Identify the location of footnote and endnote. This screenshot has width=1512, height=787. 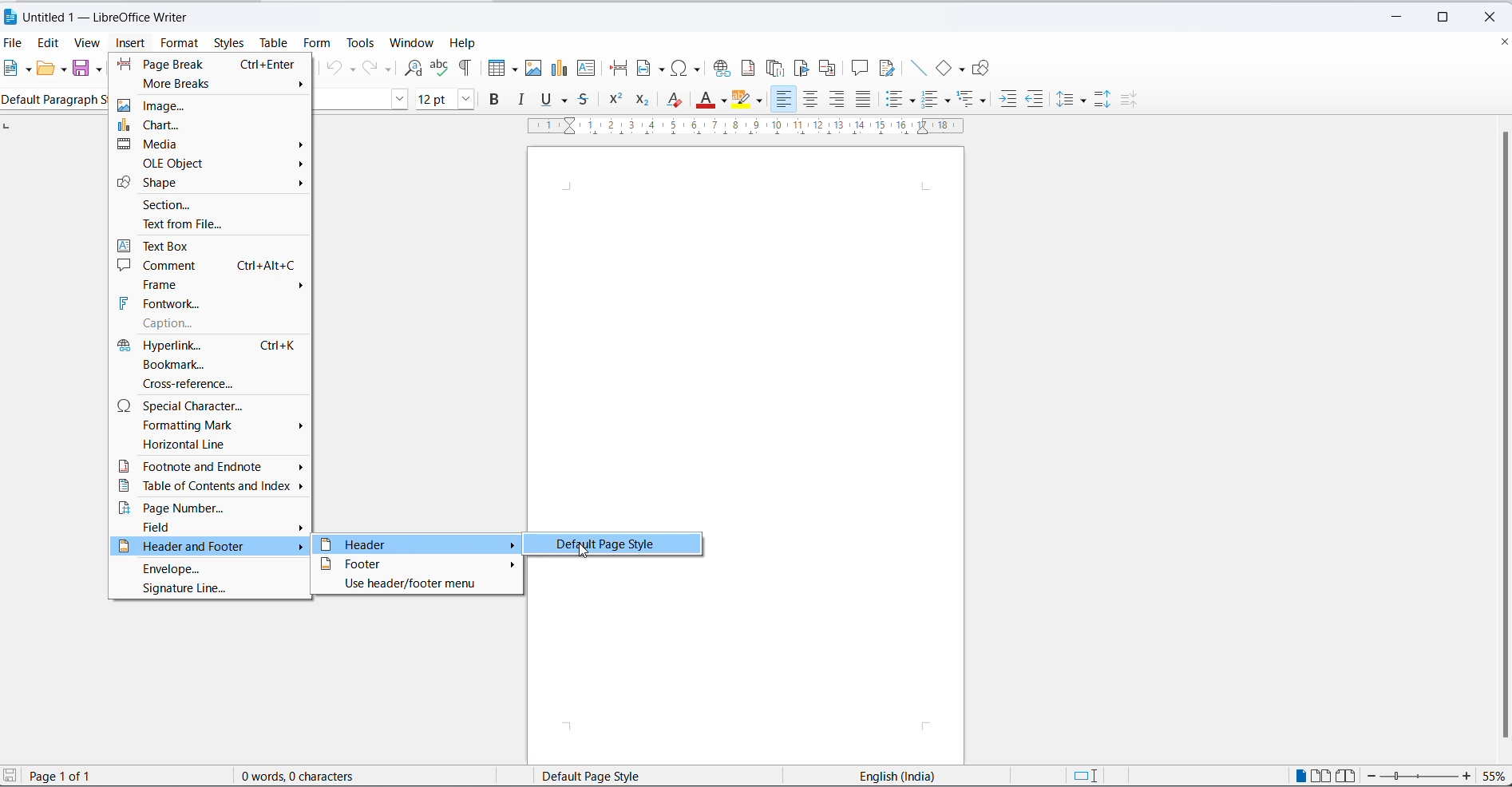
(212, 467).